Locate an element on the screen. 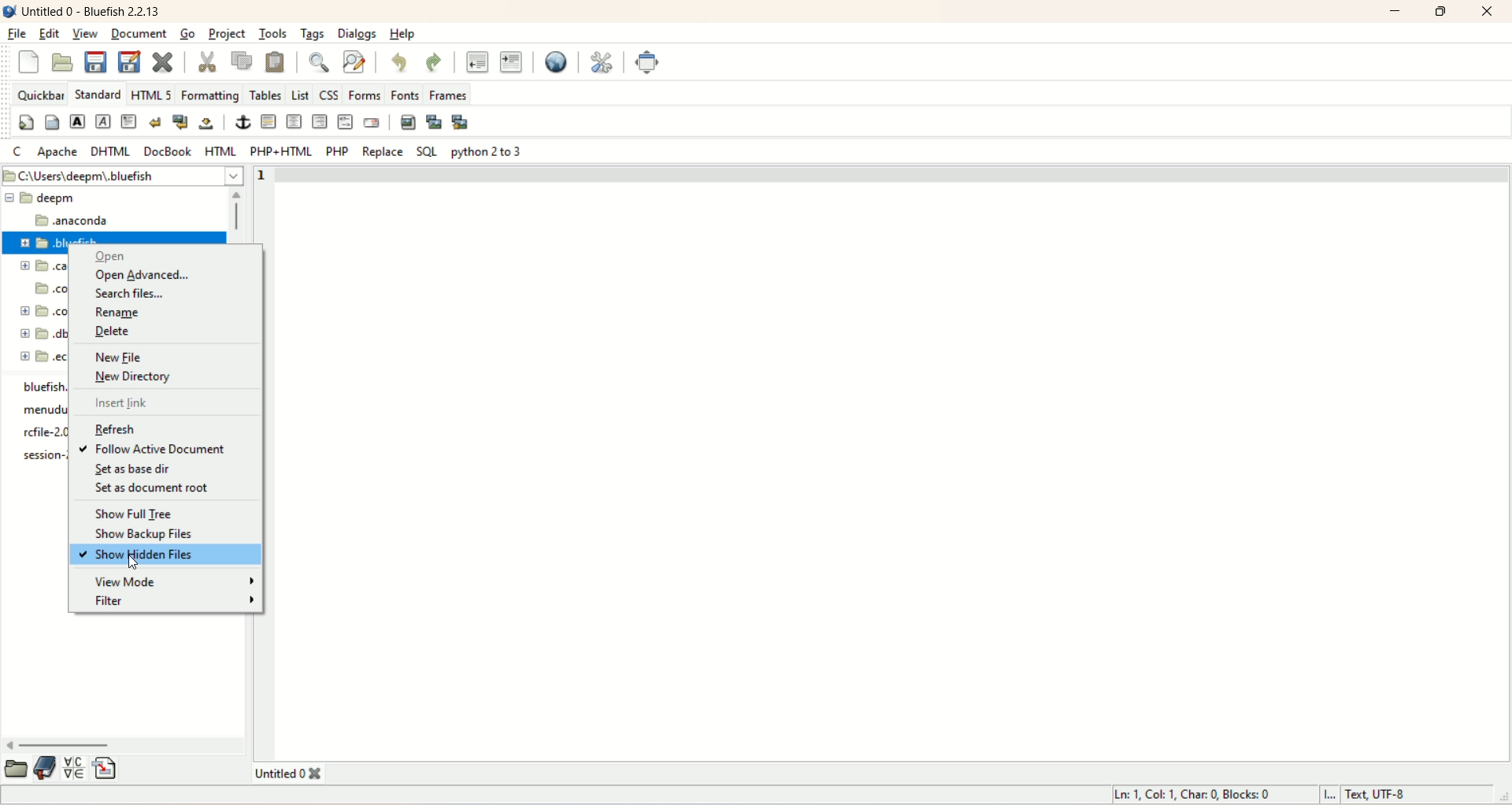 This screenshot has height=805, width=1512. STANDARD is located at coordinates (101, 95).